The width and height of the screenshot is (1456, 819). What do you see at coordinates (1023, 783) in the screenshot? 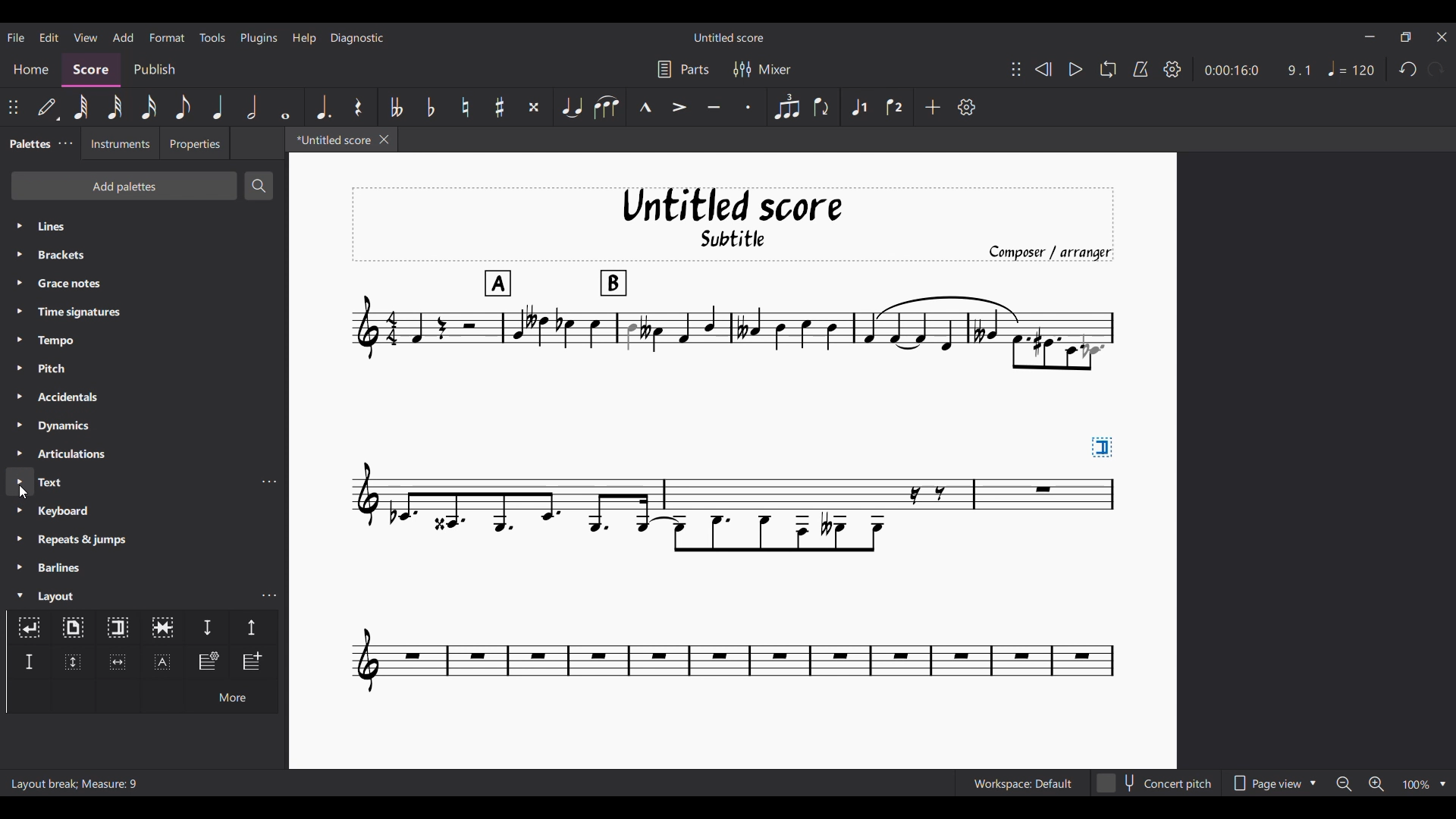
I see `Workspace: Default` at bounding box center [1023, 783].